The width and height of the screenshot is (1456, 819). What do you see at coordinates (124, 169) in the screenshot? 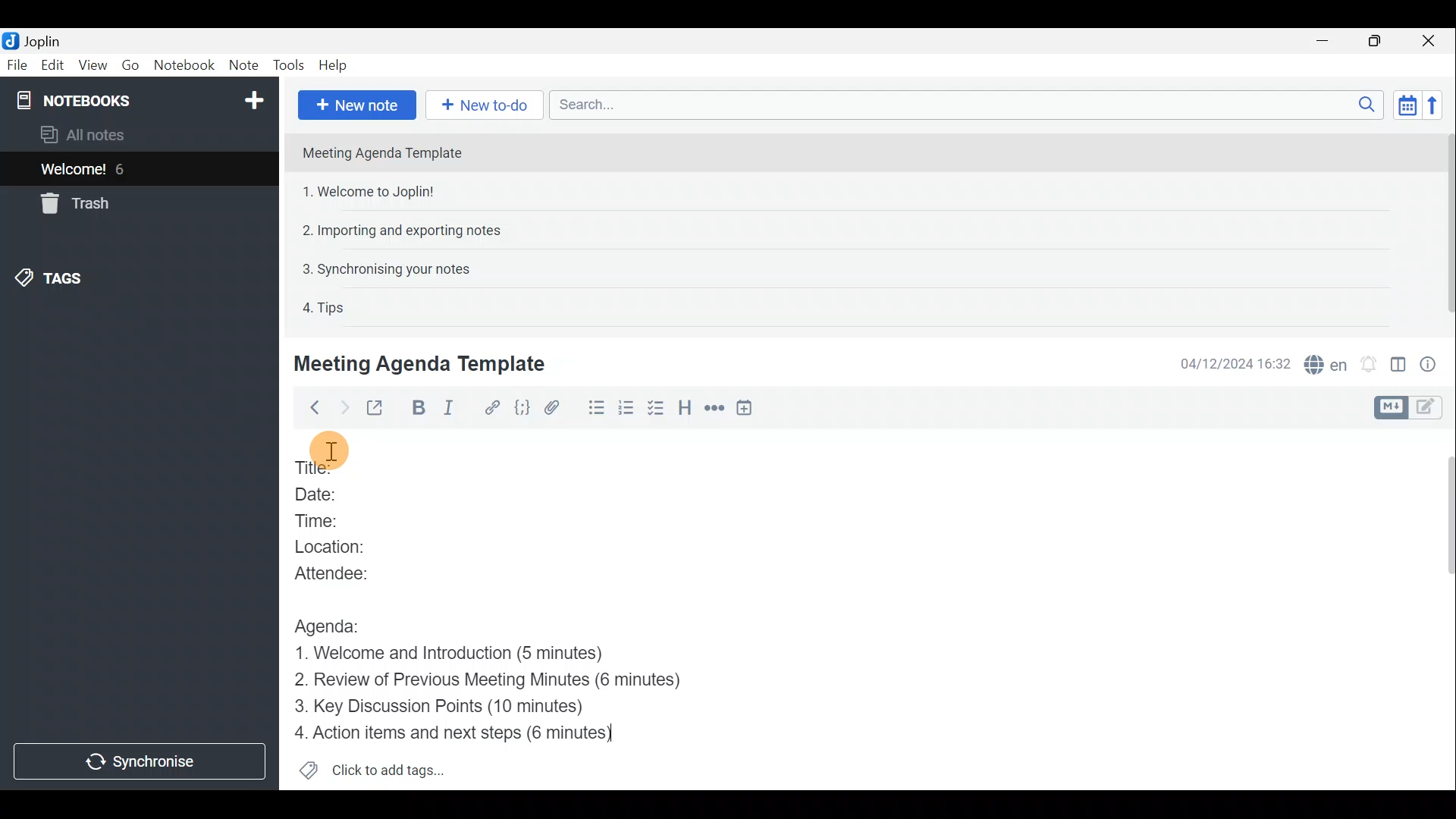
I see `6` at bounding box center [124, 169].